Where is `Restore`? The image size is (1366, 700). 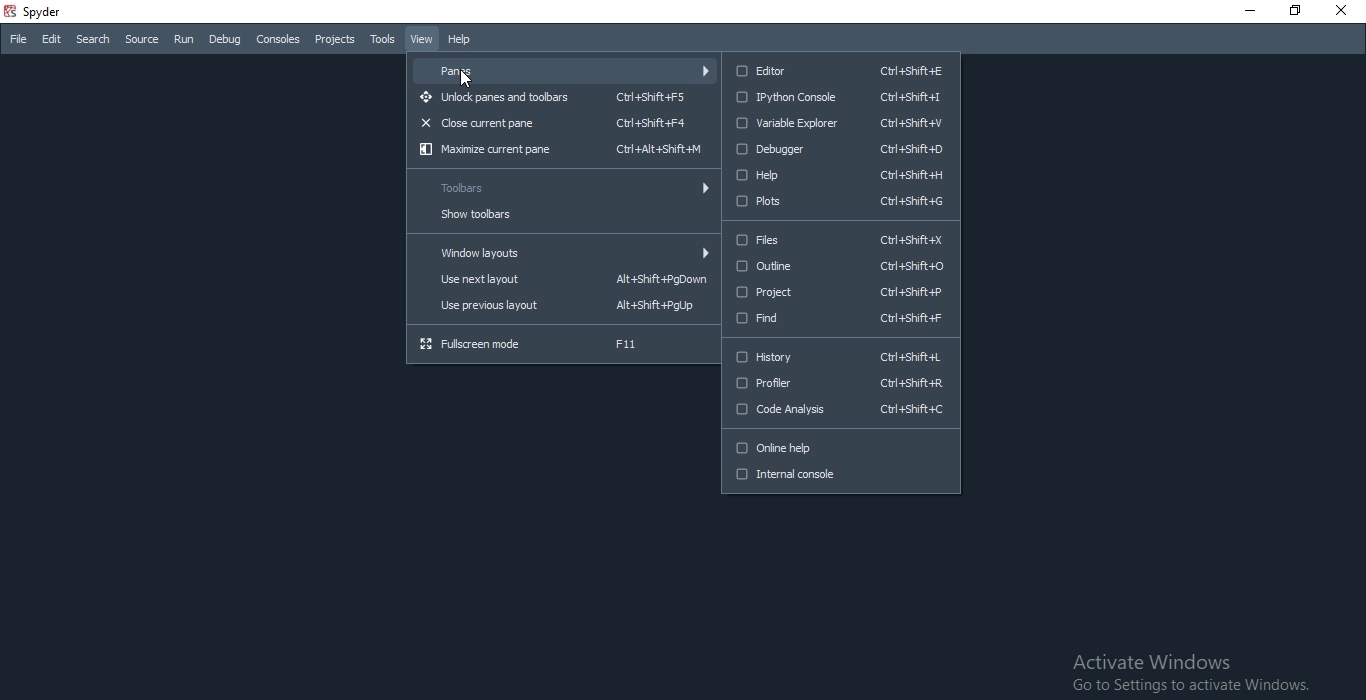 Restore is located at coordinates (1288, 10).